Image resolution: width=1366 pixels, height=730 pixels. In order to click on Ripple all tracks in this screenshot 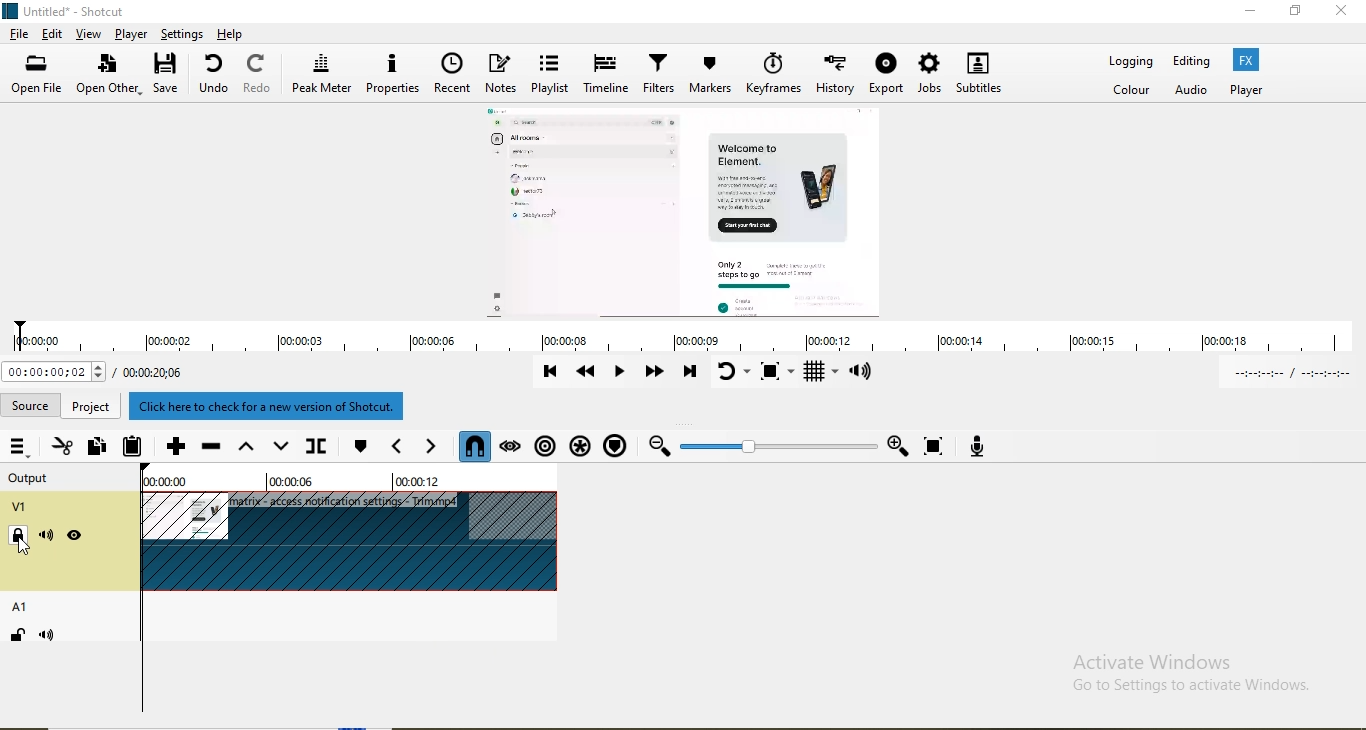, I will do `click(579, 444)`.